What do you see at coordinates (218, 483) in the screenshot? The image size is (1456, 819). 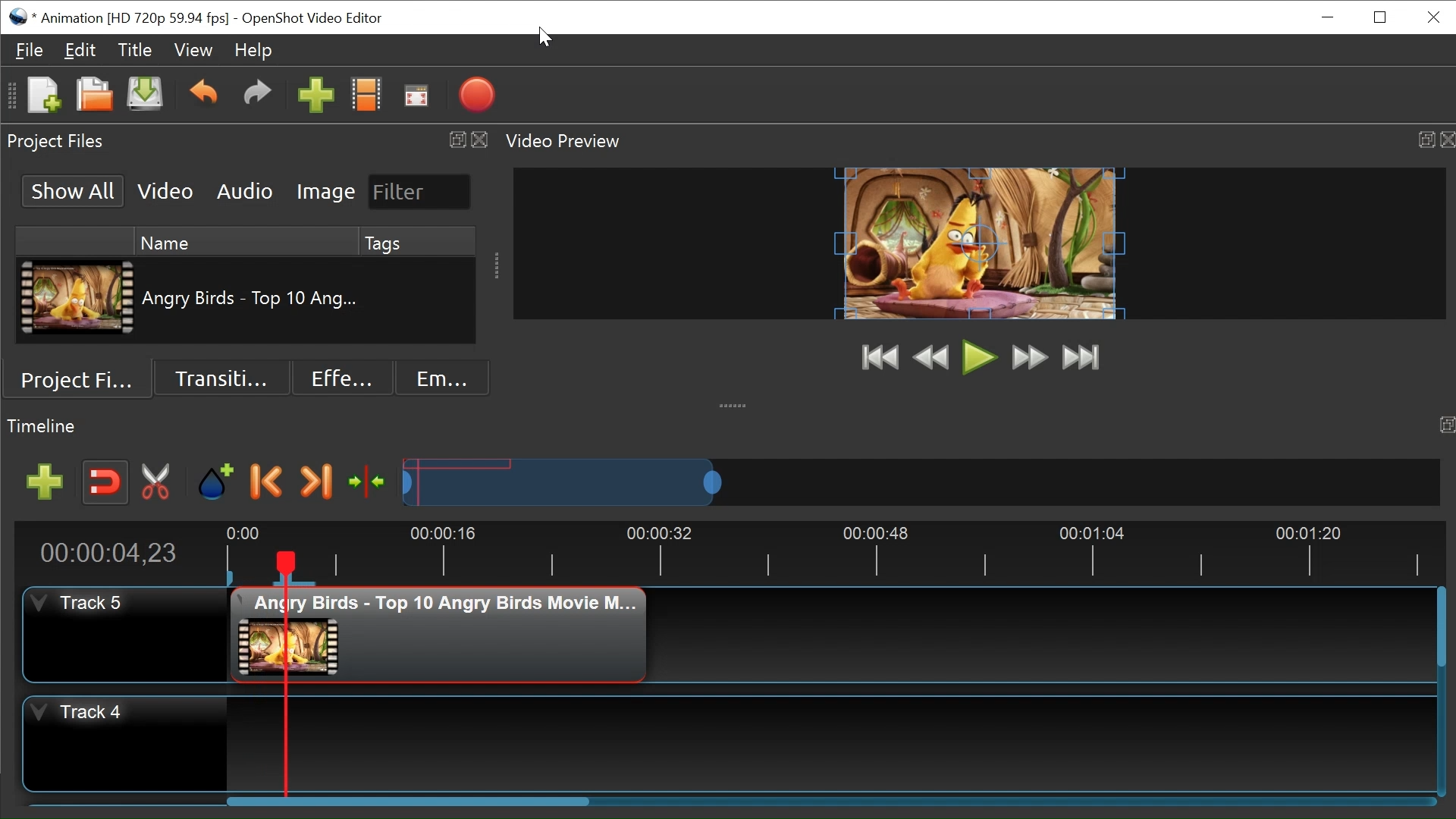 I see `Add Marker` at bounding box center [218, 483].